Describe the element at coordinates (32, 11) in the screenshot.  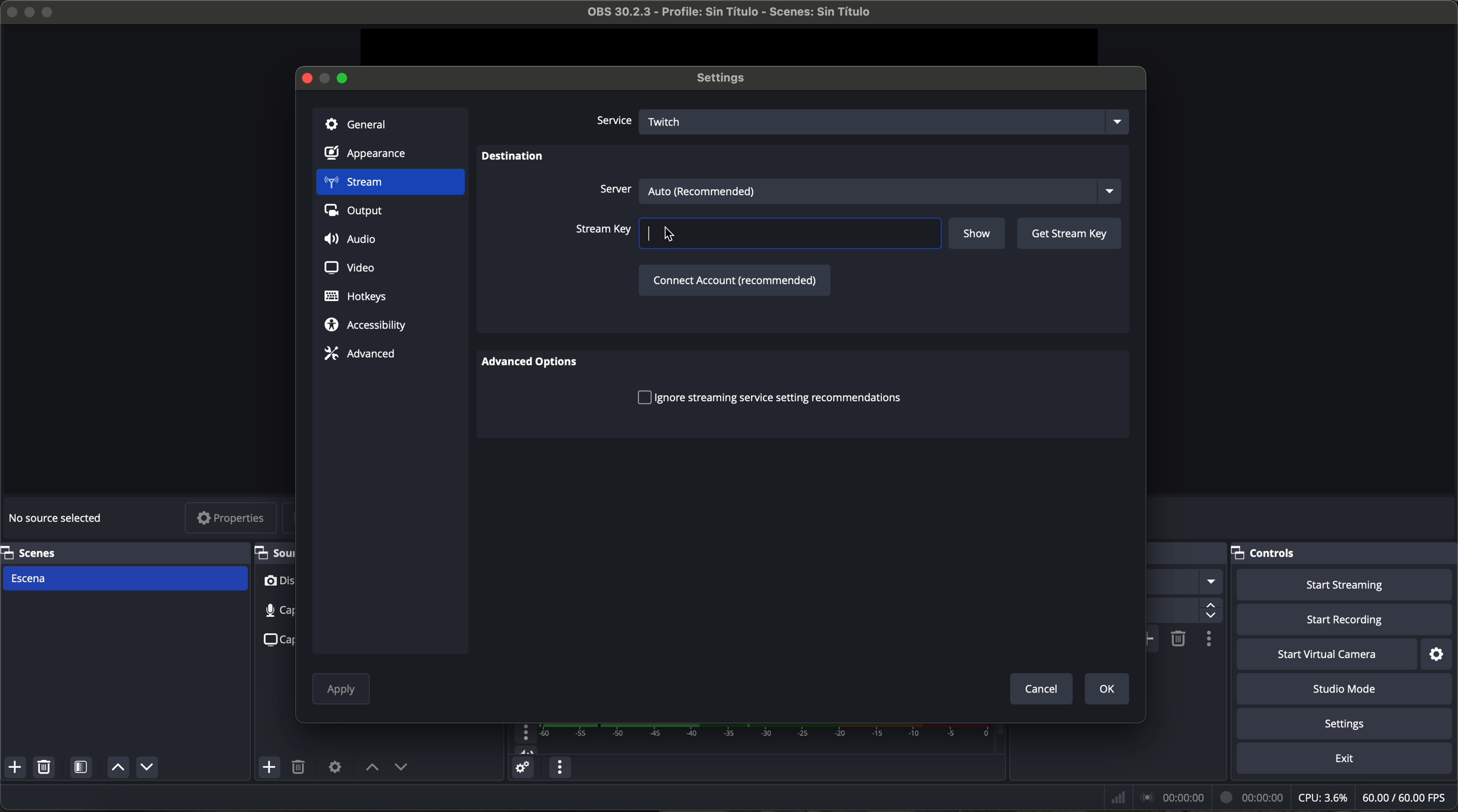
I see `minimize OBS Studio` at that location.